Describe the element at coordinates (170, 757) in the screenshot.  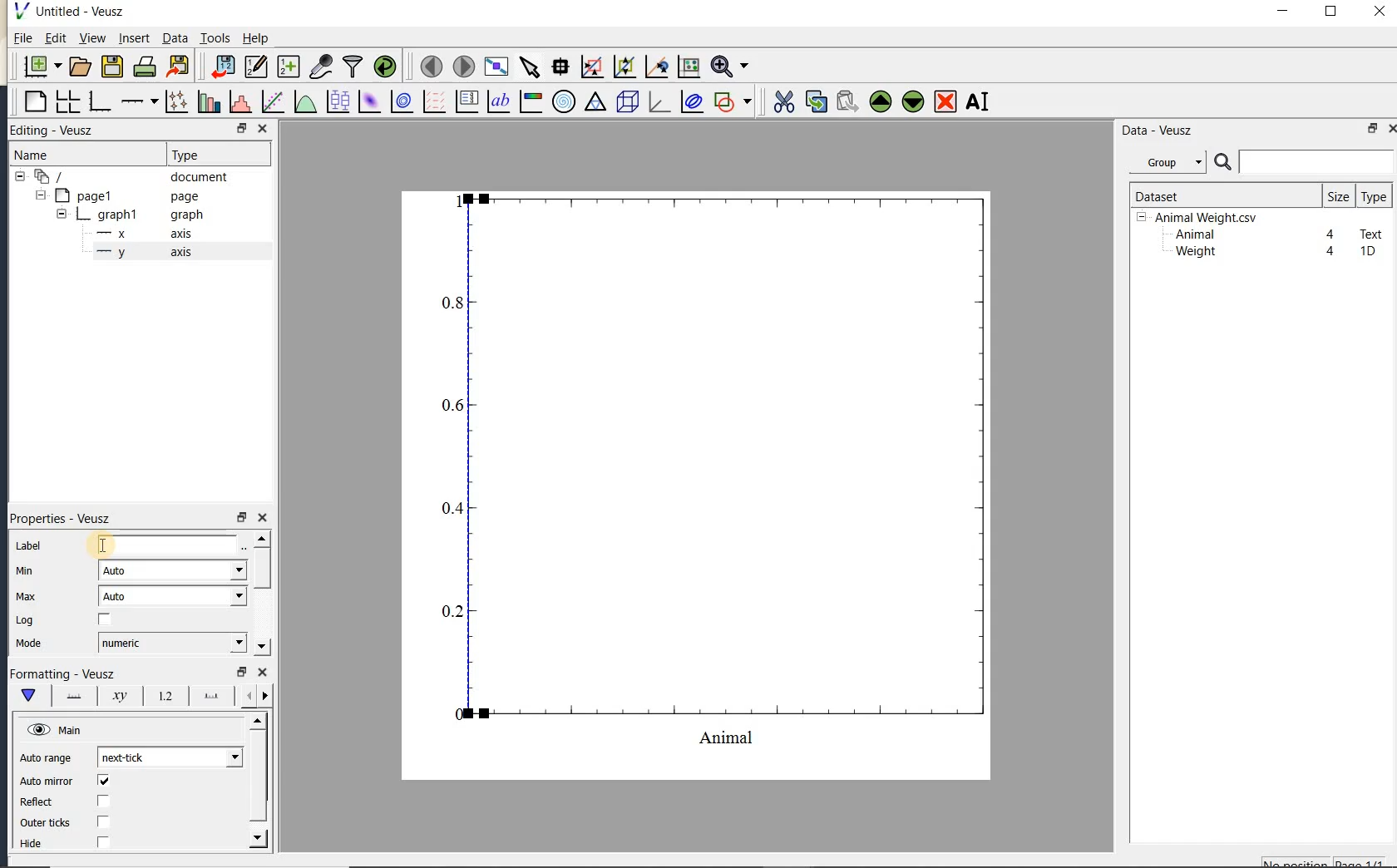
I see `next click` at that location.